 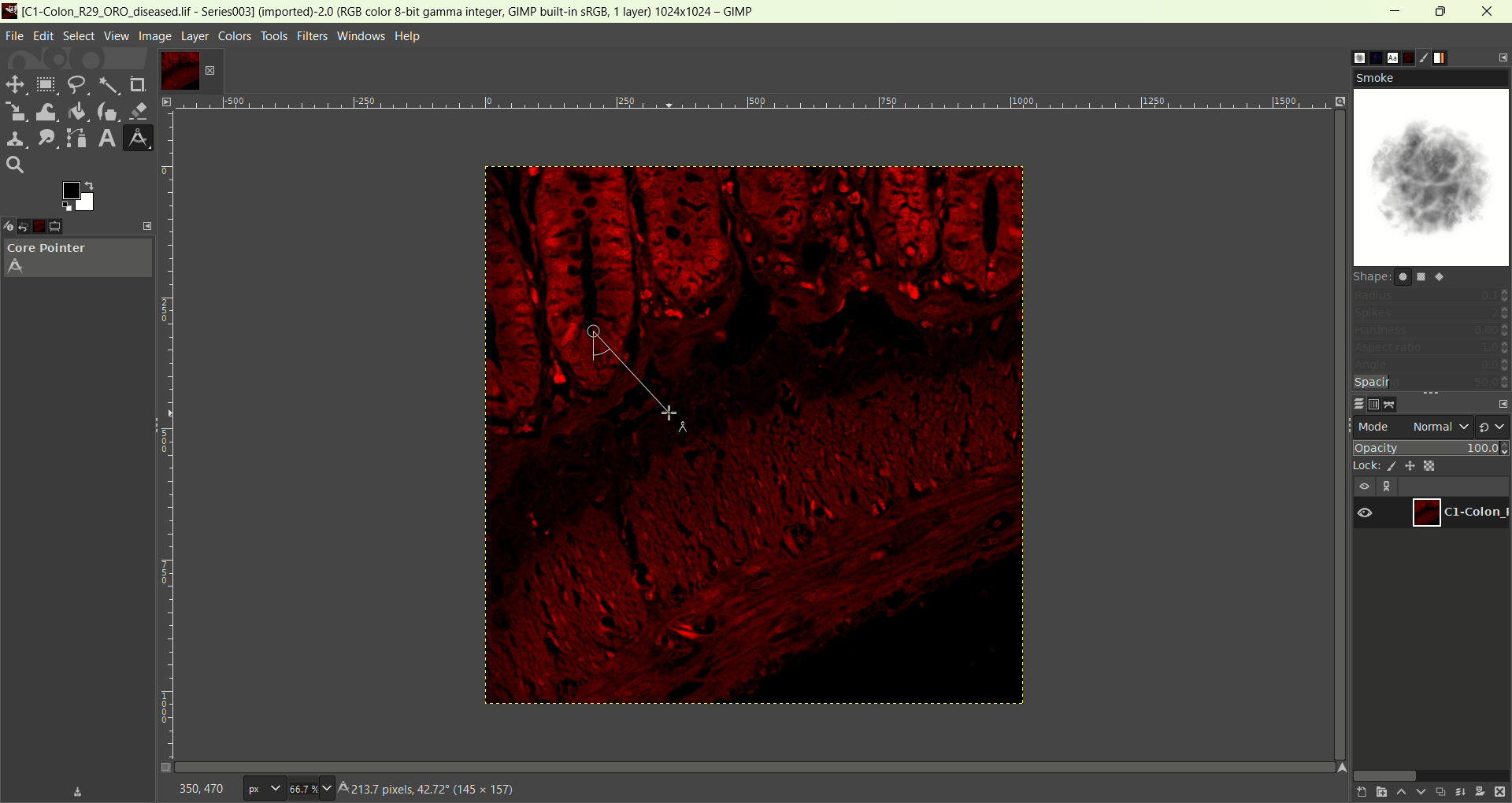 I want to click on maximize, so click(x=1441, y=11).